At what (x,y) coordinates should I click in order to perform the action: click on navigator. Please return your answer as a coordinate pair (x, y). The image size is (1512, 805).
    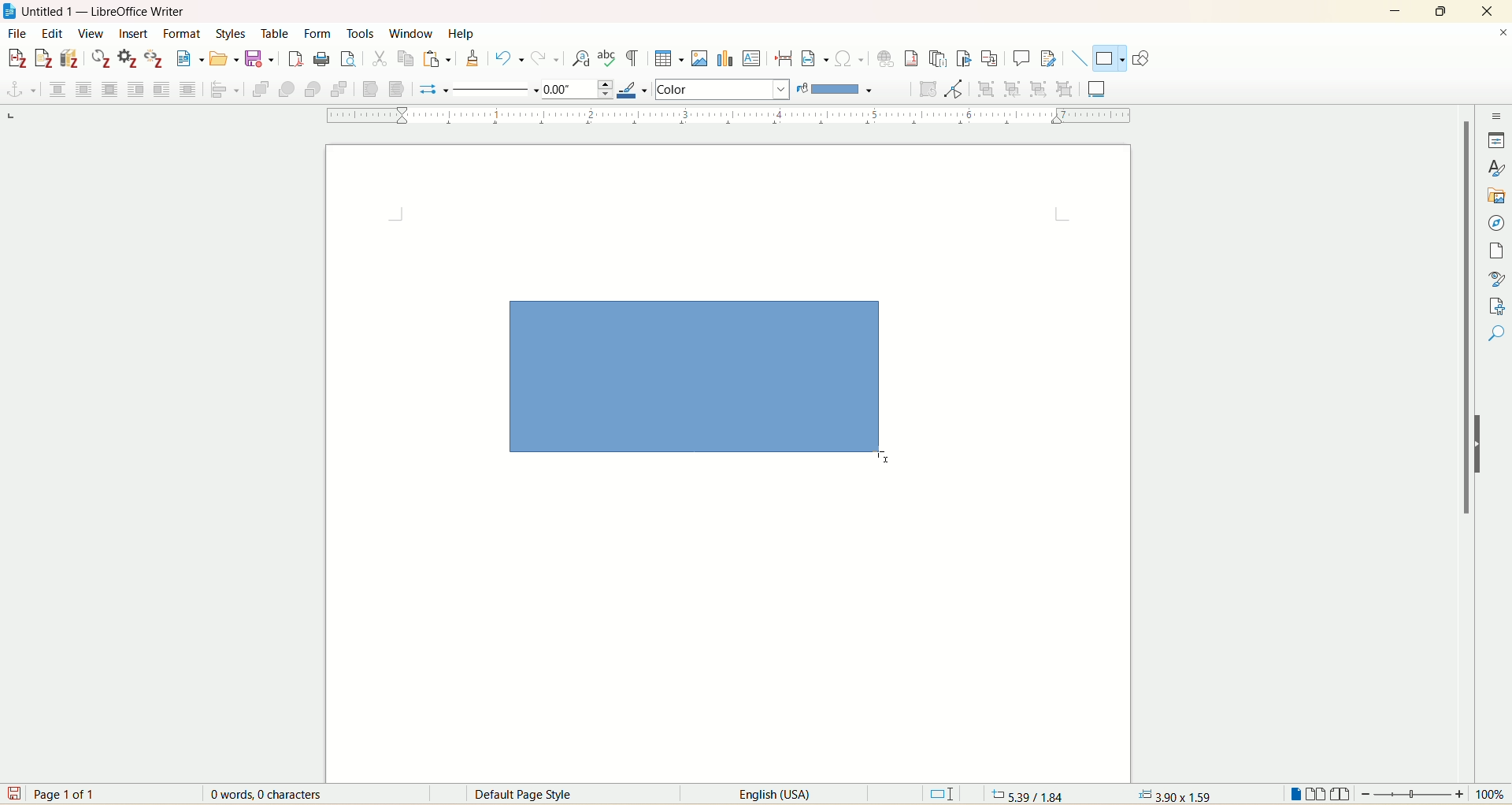
    Looking at the image, I should click on (1496, 224).